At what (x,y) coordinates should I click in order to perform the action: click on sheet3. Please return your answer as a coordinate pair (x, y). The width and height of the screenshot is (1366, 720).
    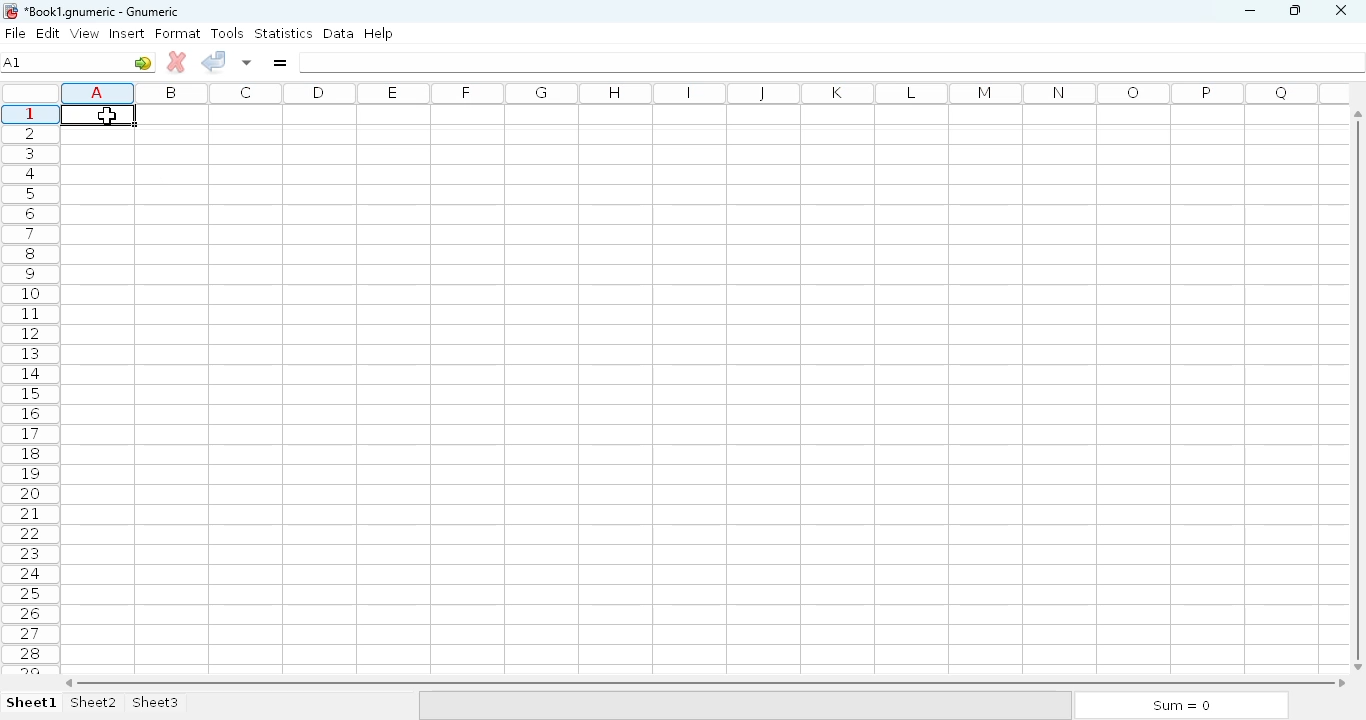
    Looking at the image, I should click on (155, 703).